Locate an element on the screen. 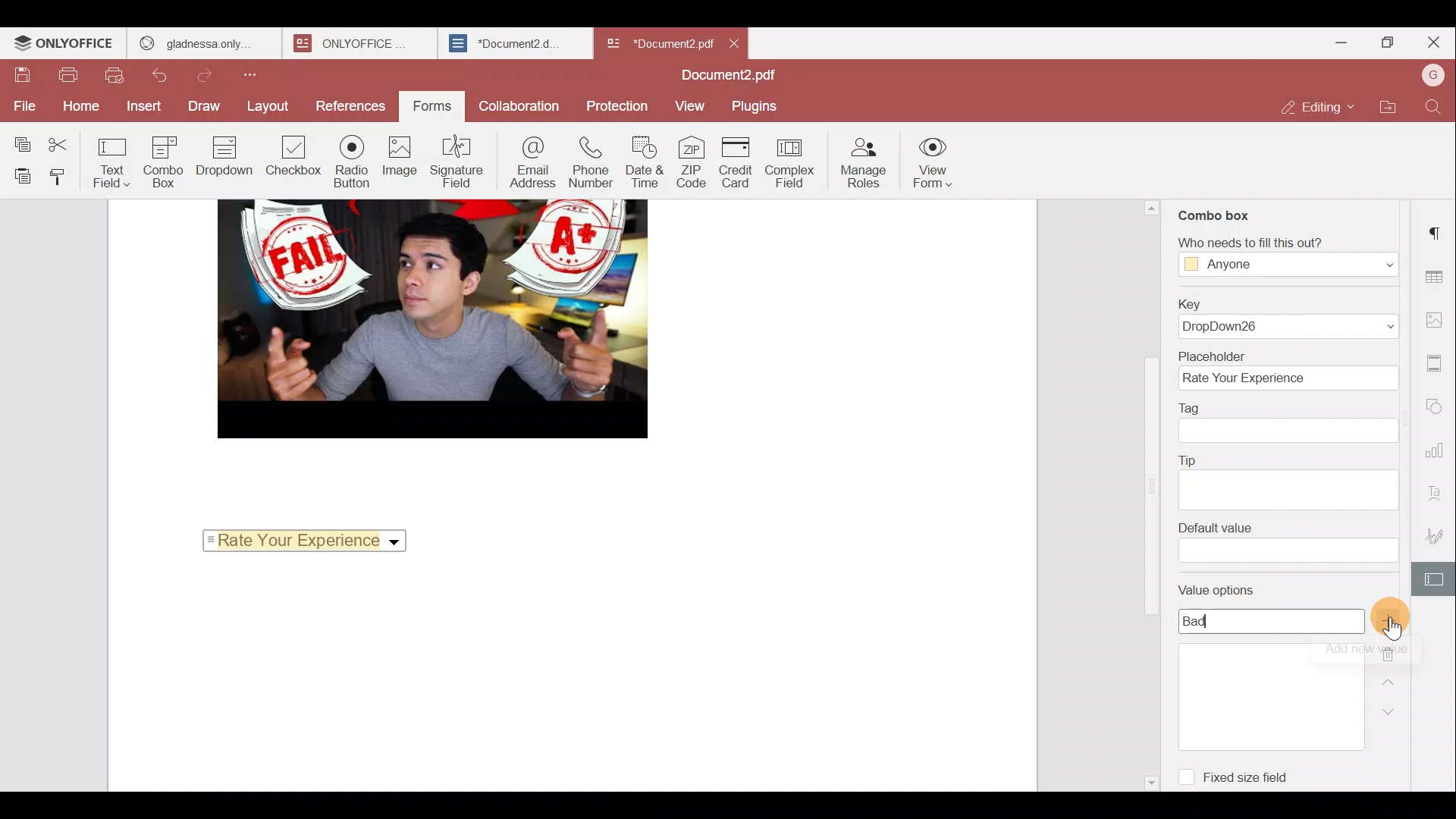 The image size is (1456, 819). Manage roles is located at coordinates (865, 162).